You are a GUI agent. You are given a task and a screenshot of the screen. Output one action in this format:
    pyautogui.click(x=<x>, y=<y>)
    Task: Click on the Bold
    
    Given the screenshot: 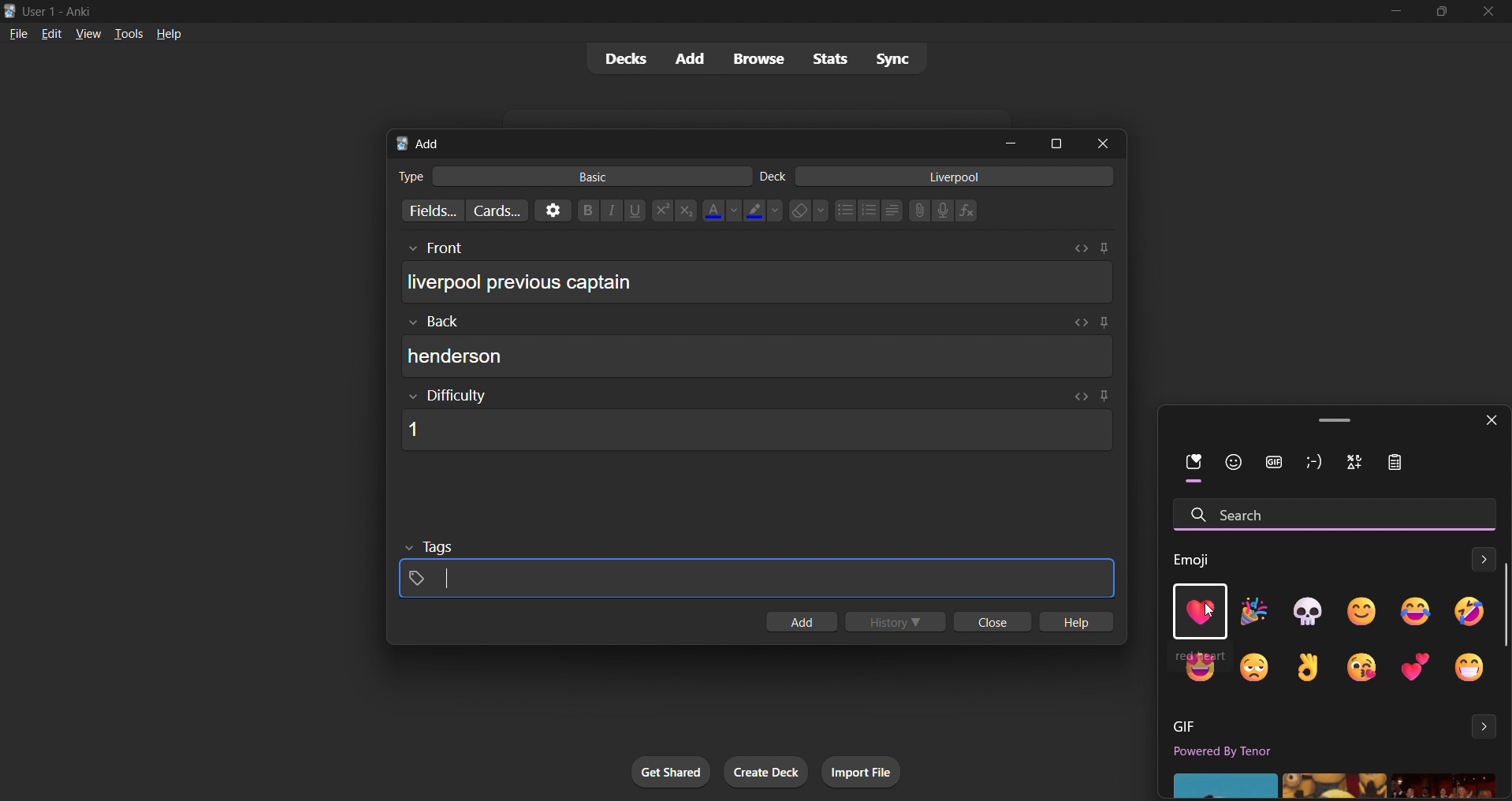 What is the action you would take?
    pyautogui.click(x=587, y=209)
    